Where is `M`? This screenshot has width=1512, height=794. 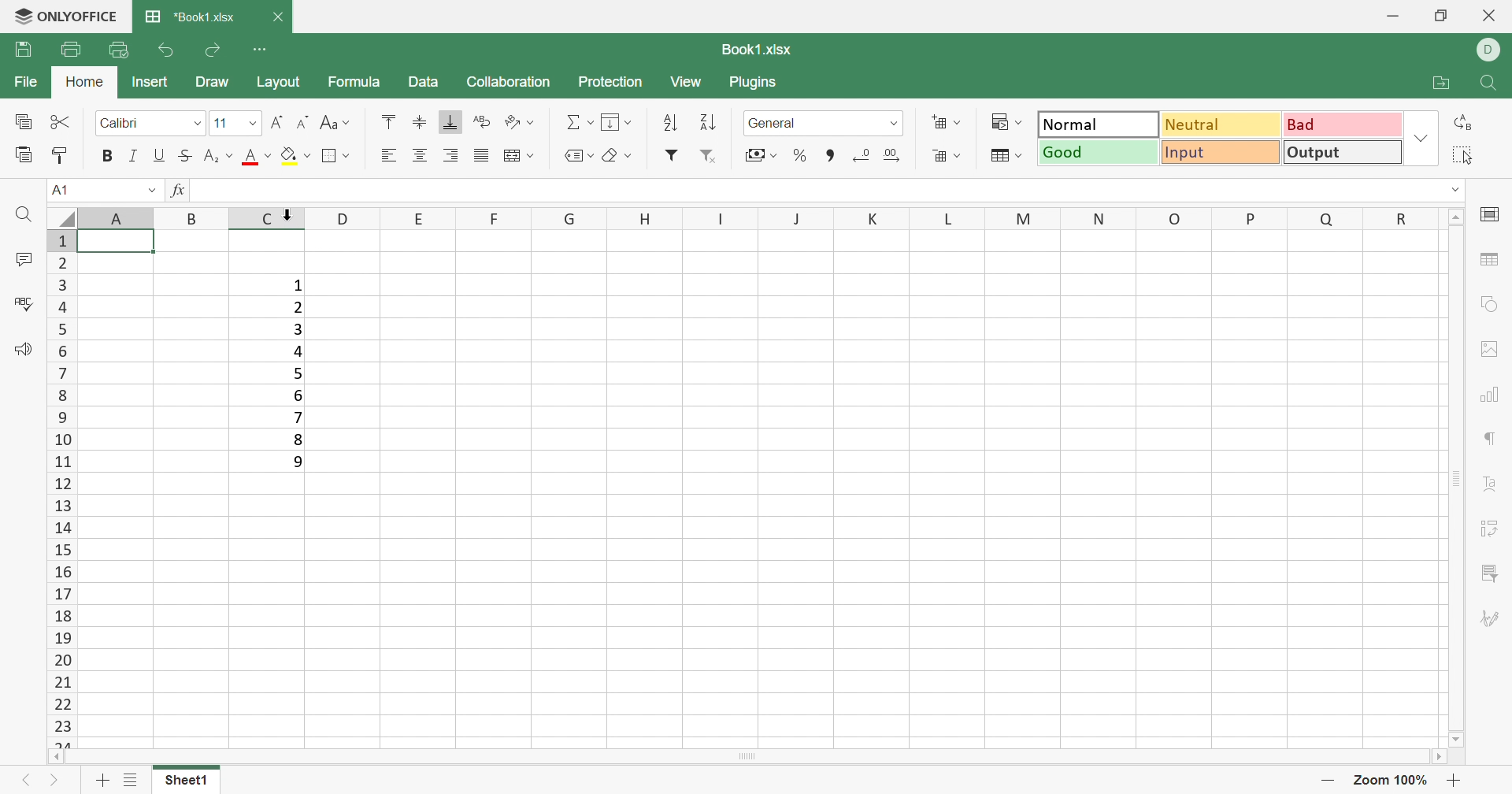
M is located at coordinates (1022, 220).